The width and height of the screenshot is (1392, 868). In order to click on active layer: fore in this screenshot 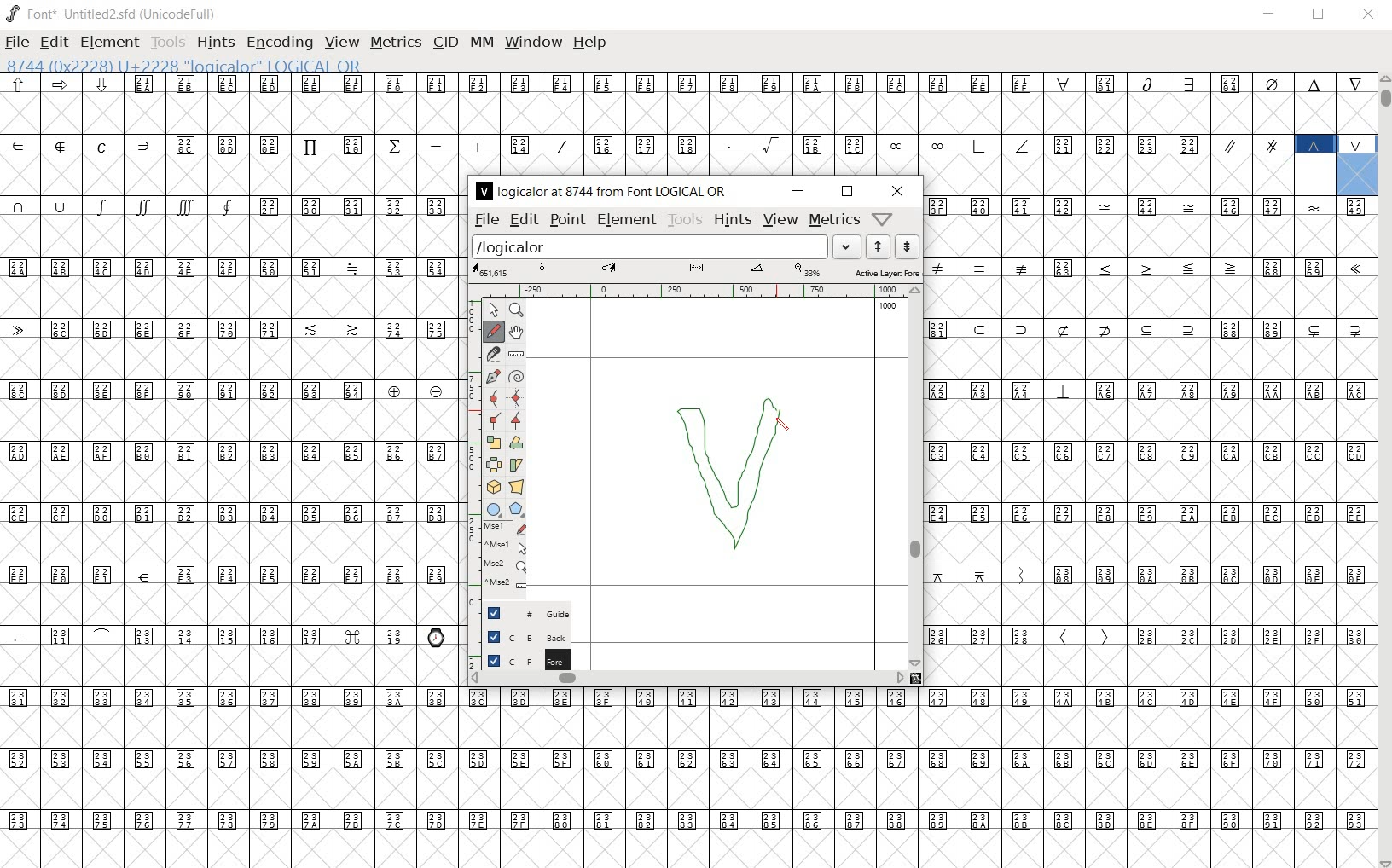, I will do `click(693, 272)`.